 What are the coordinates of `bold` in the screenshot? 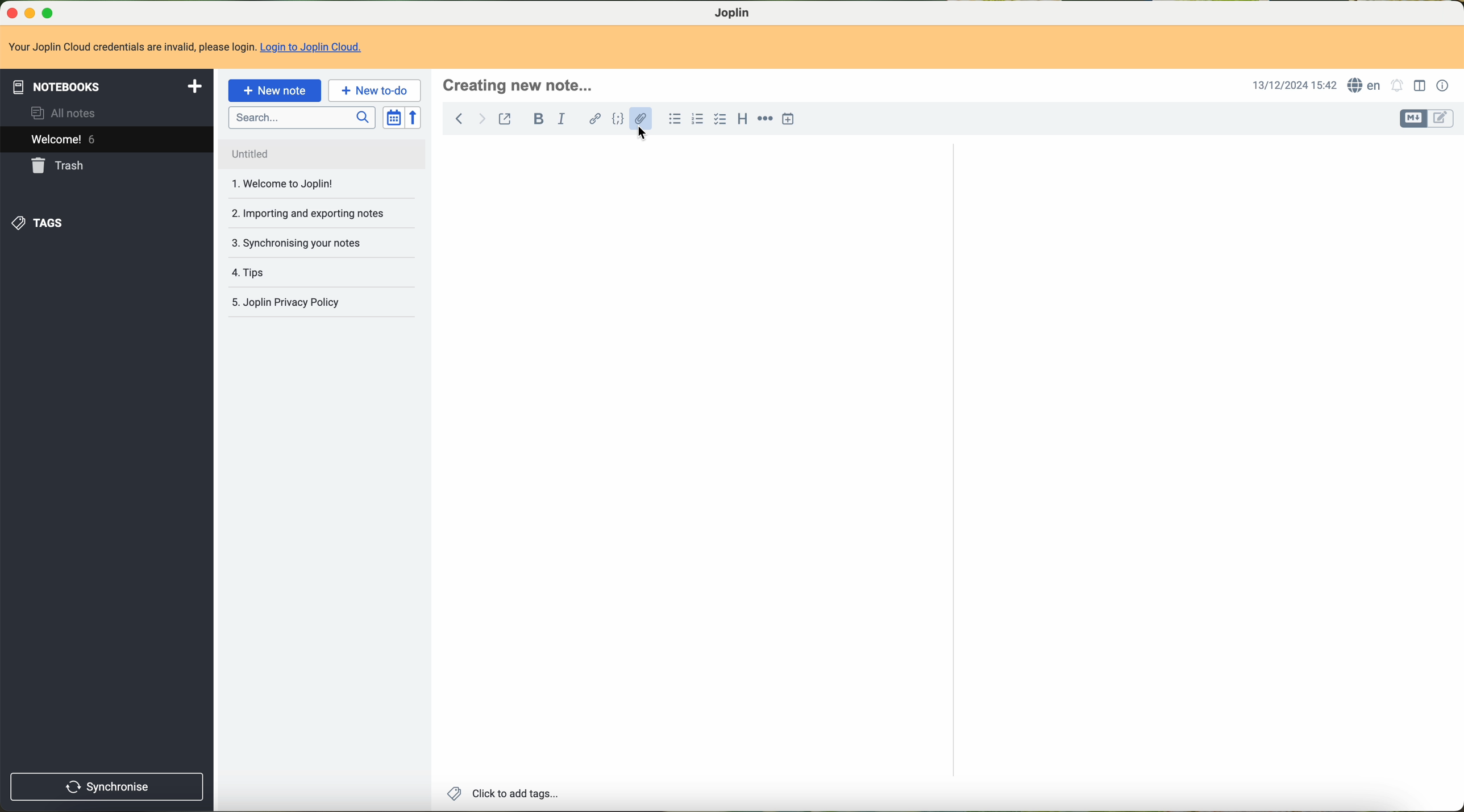 It's located at (539, 119).